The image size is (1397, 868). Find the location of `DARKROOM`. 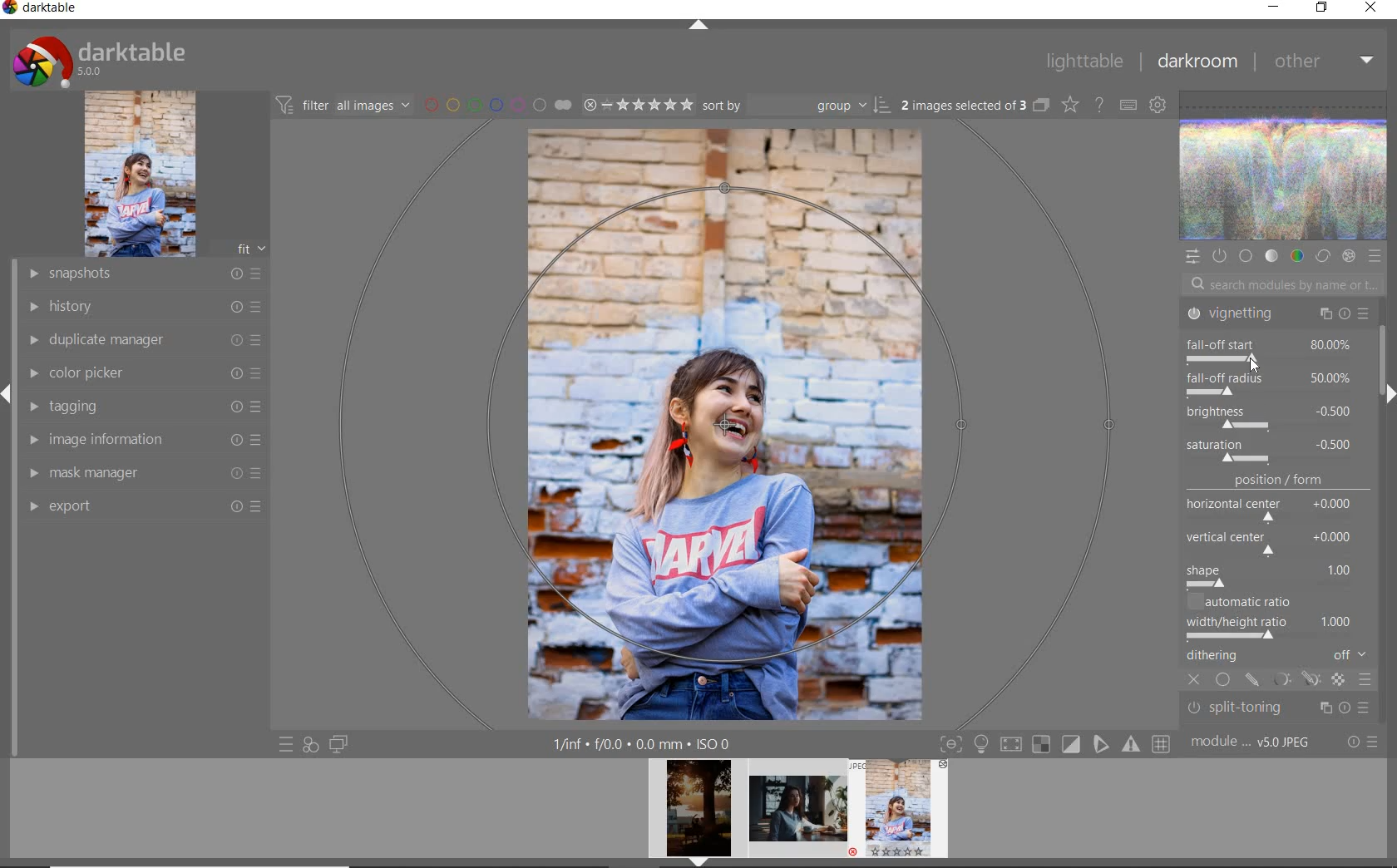

DARKROOM is located at coordinates (1197, 62).